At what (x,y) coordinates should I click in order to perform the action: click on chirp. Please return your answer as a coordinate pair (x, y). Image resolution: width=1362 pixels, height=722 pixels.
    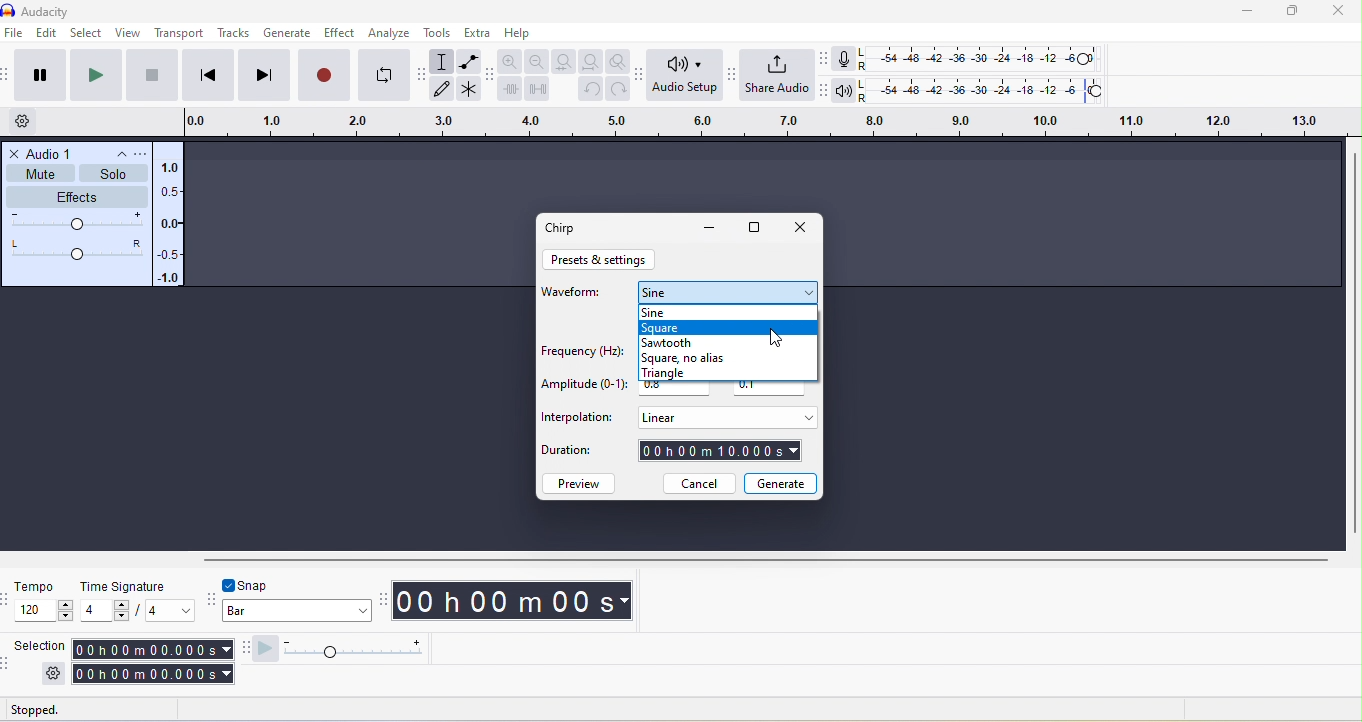
    Looking at the image, I should click on (565, 227).